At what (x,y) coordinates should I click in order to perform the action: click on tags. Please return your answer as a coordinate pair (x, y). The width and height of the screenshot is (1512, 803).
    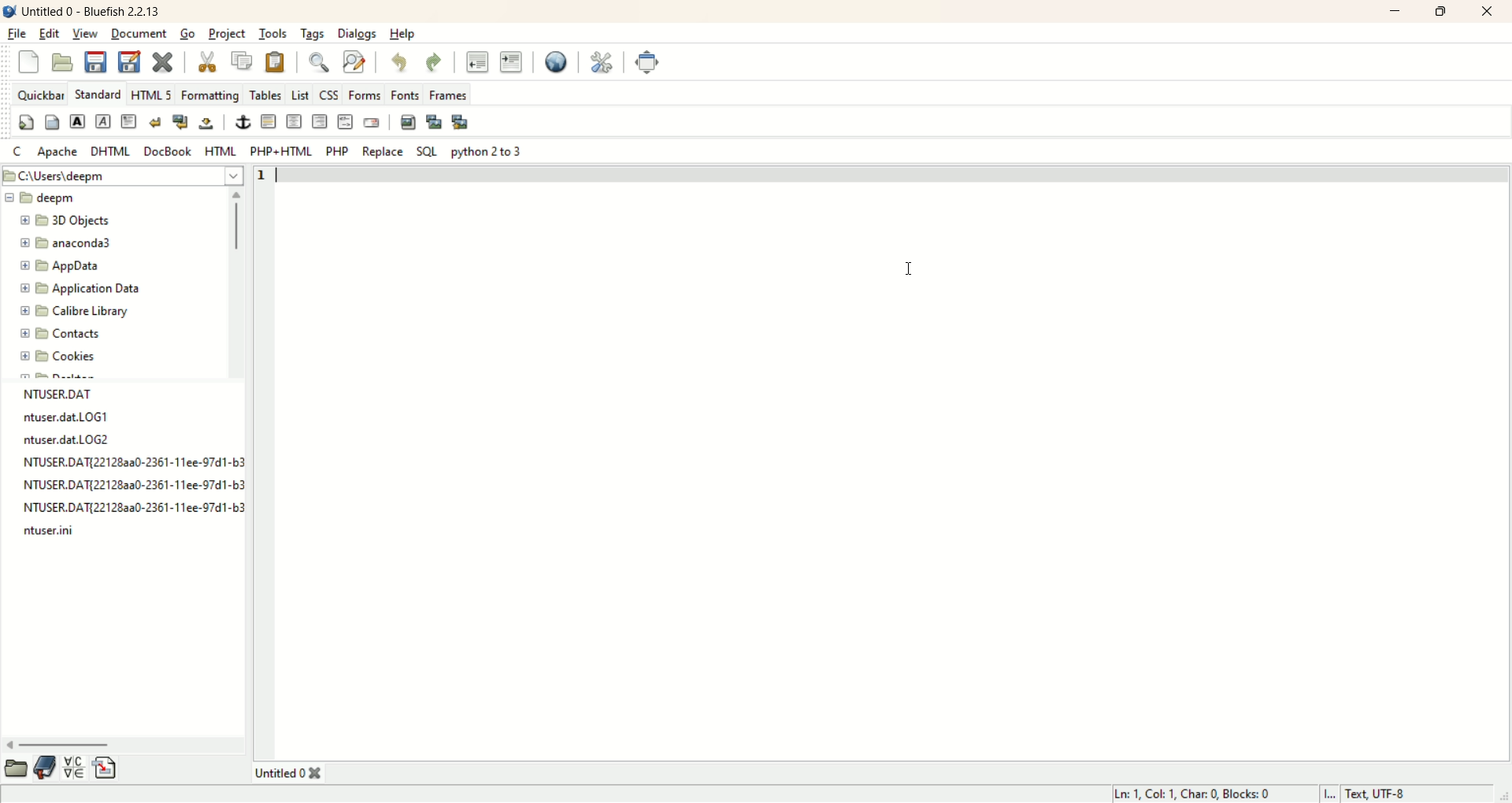
    Looking at the image, I should click on (311, 35).